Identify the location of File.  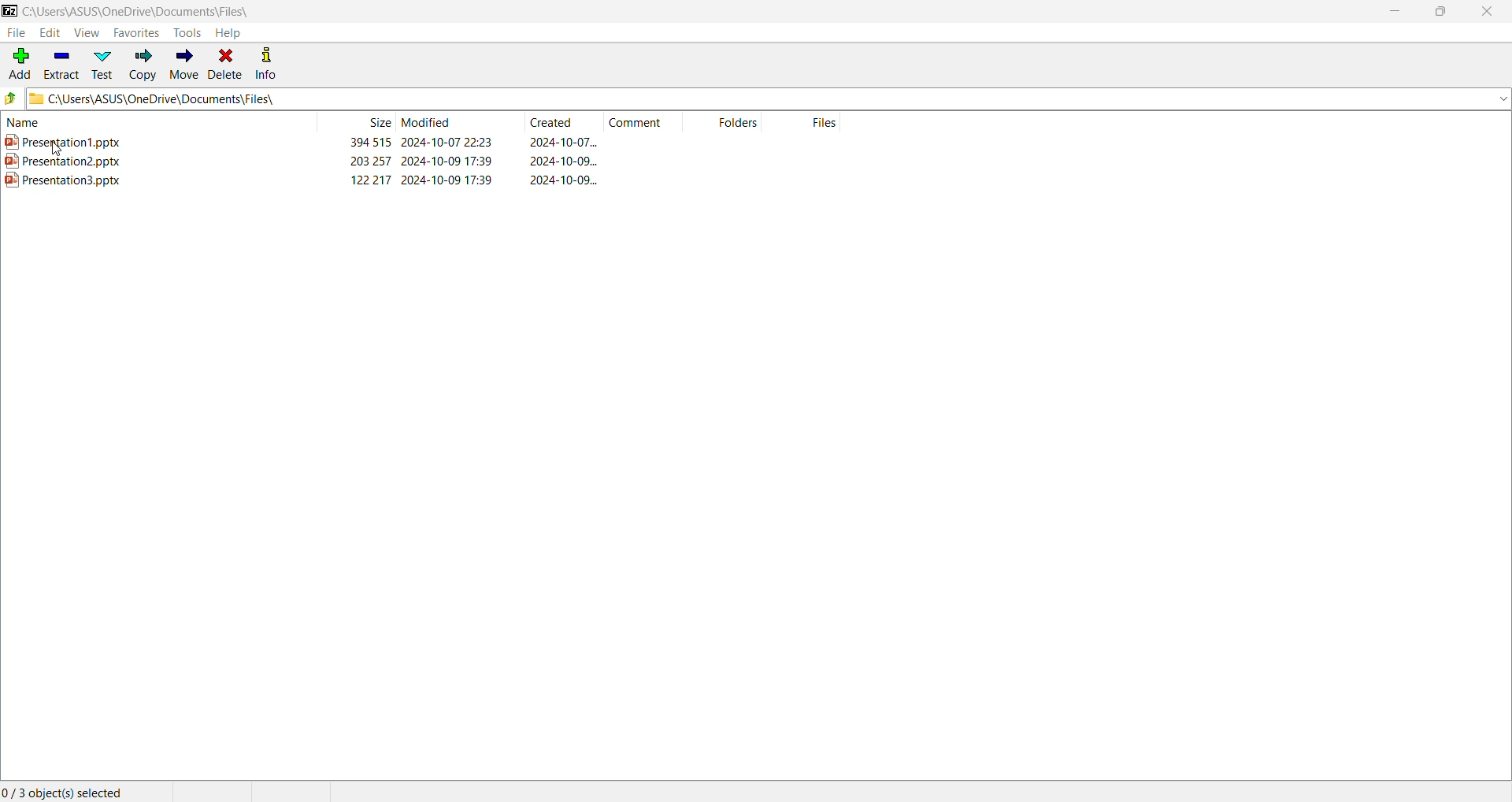
(18, 33).